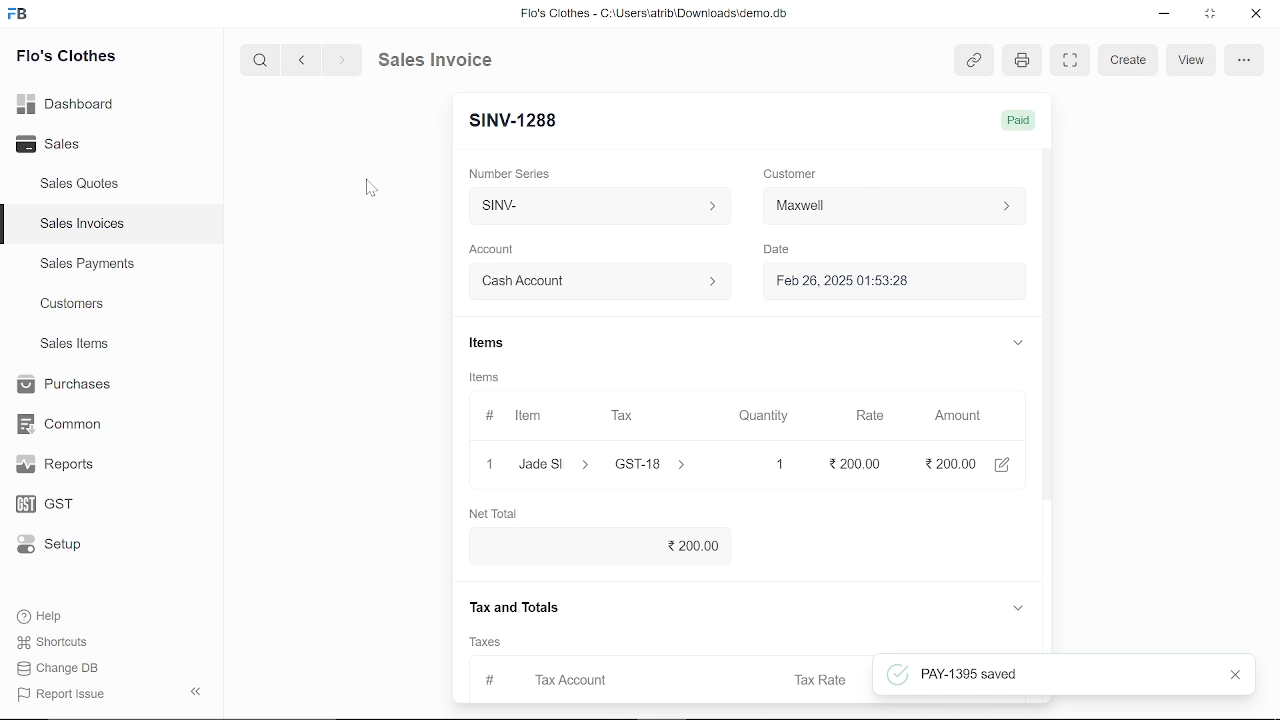 Image resolution: width=1280 pixels, height=720 pixels. I want to click on Help, so click(53, 616).